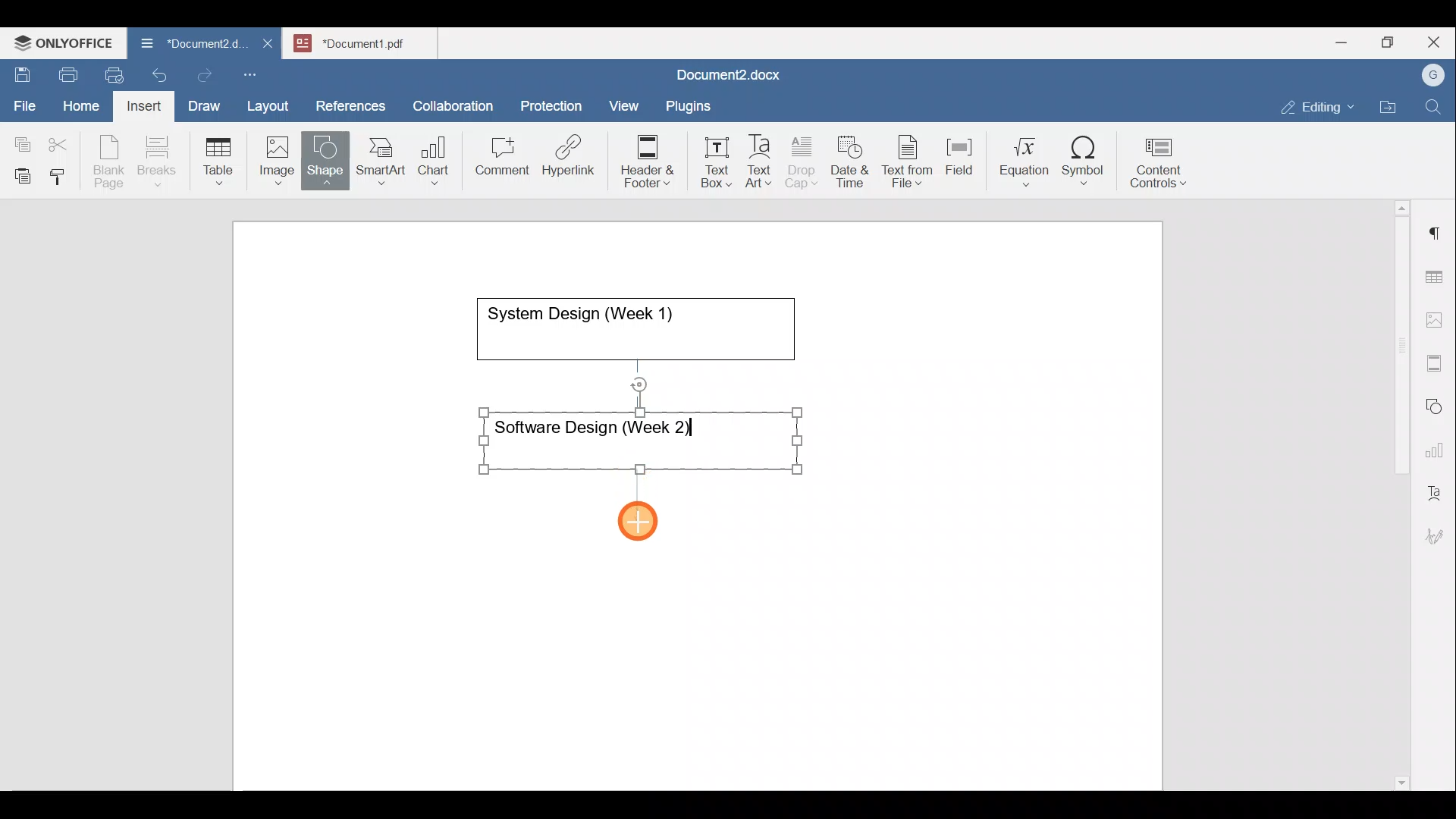  Describe the element at coordinates (1084, 165) in the screenshot. I see `Symbol` at that location.